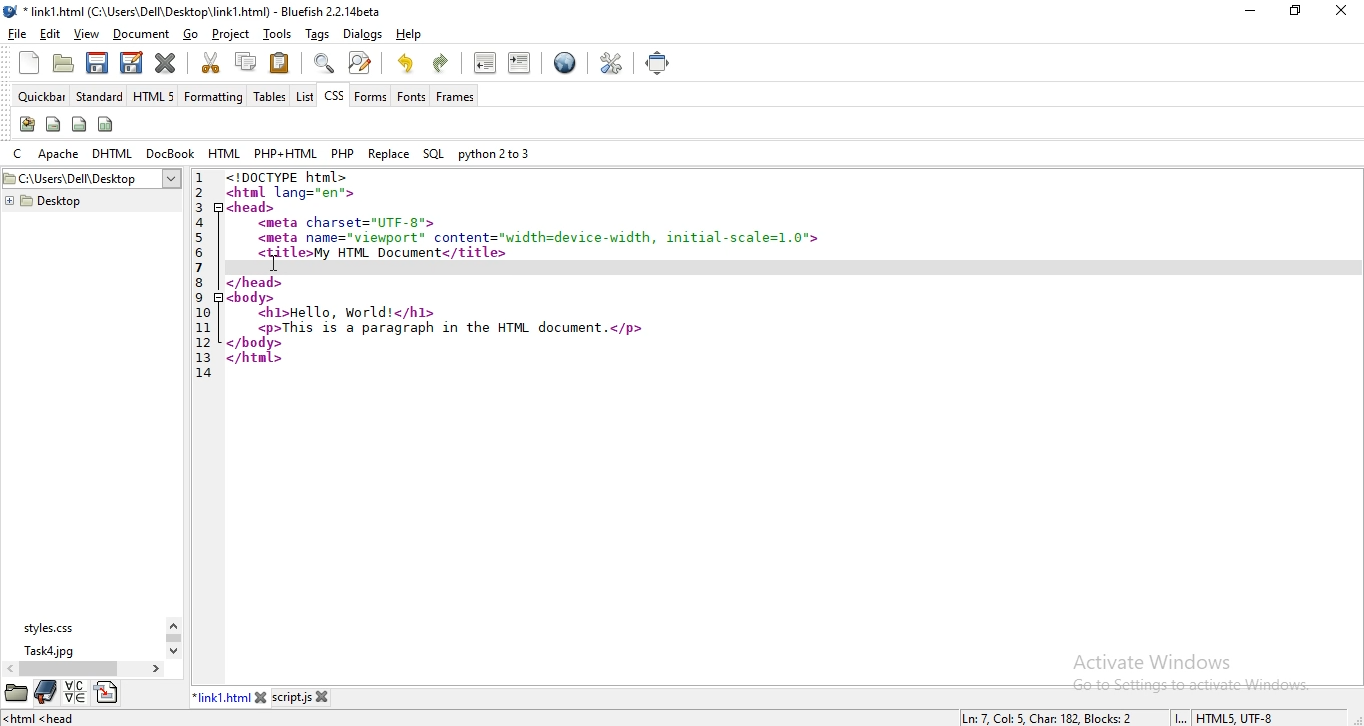  Describe the element at coordinates (281, 63) in the screenshot. I see `paste` at that location.